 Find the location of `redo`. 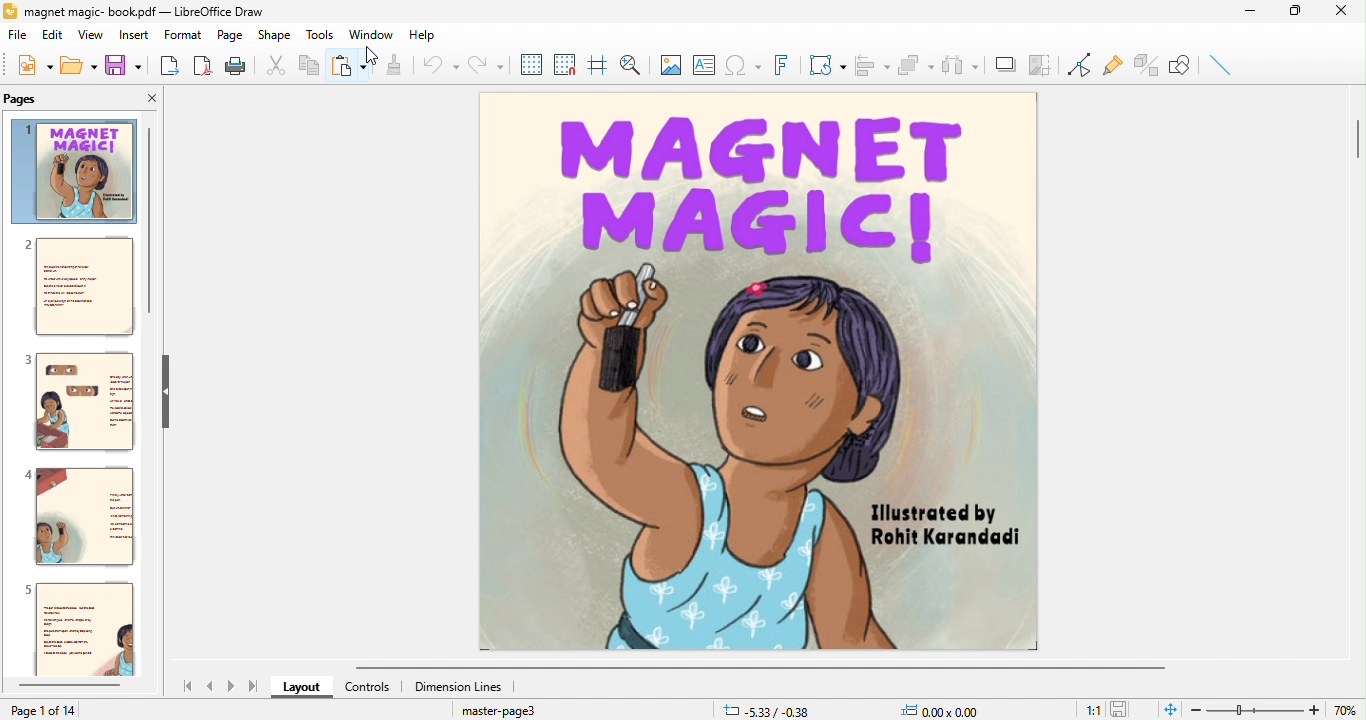

redo is located at coordinates (484, 64).